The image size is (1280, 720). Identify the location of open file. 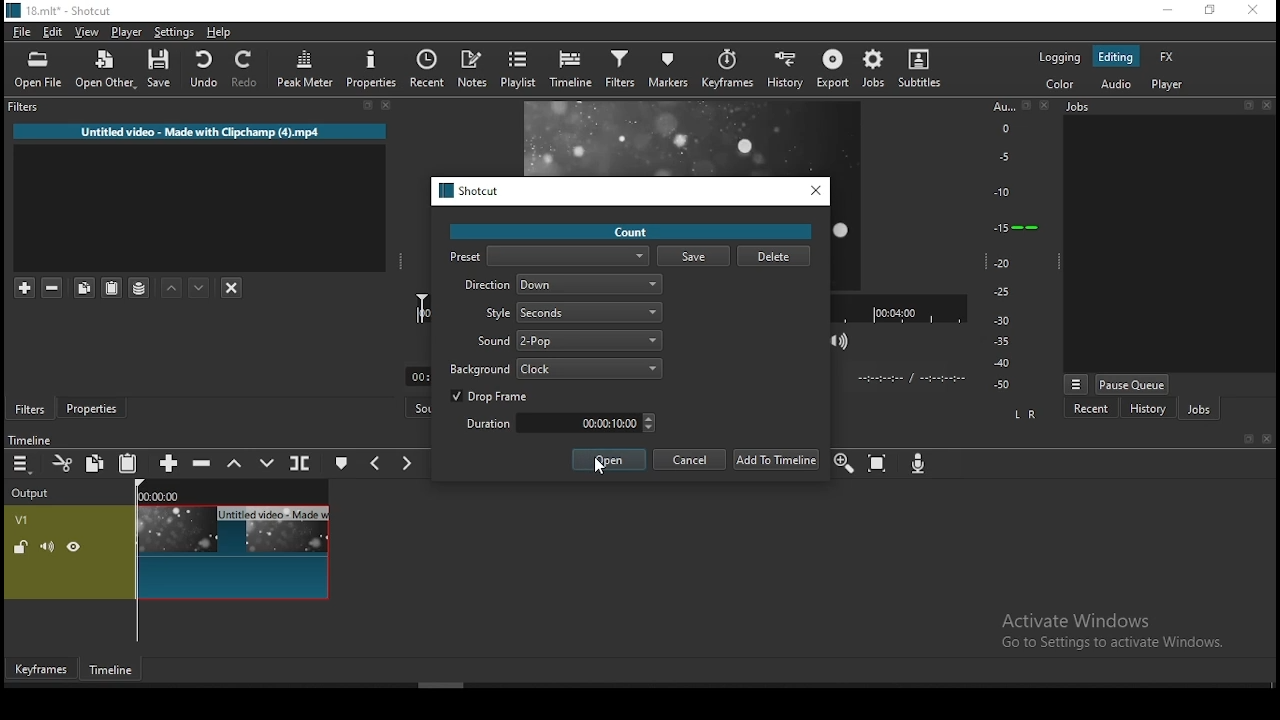
(38, 68).